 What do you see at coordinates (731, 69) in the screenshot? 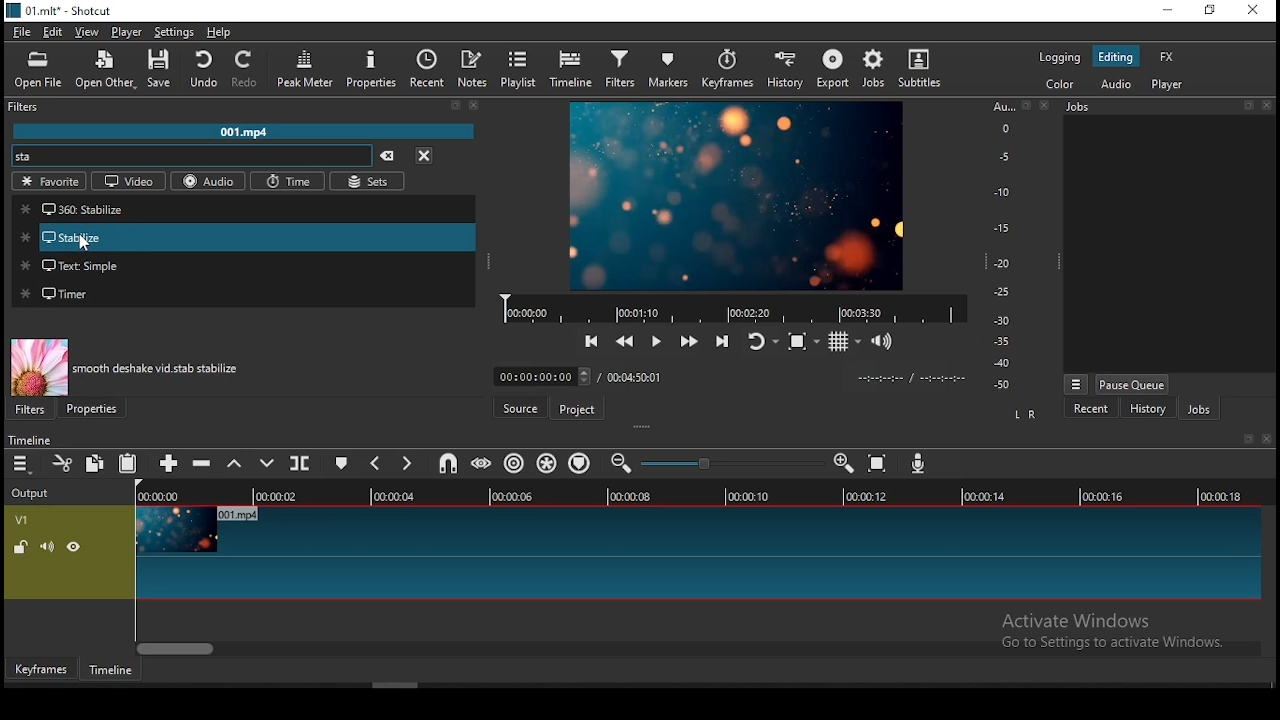
I see `keyframes` at bounding box center [731, 69].